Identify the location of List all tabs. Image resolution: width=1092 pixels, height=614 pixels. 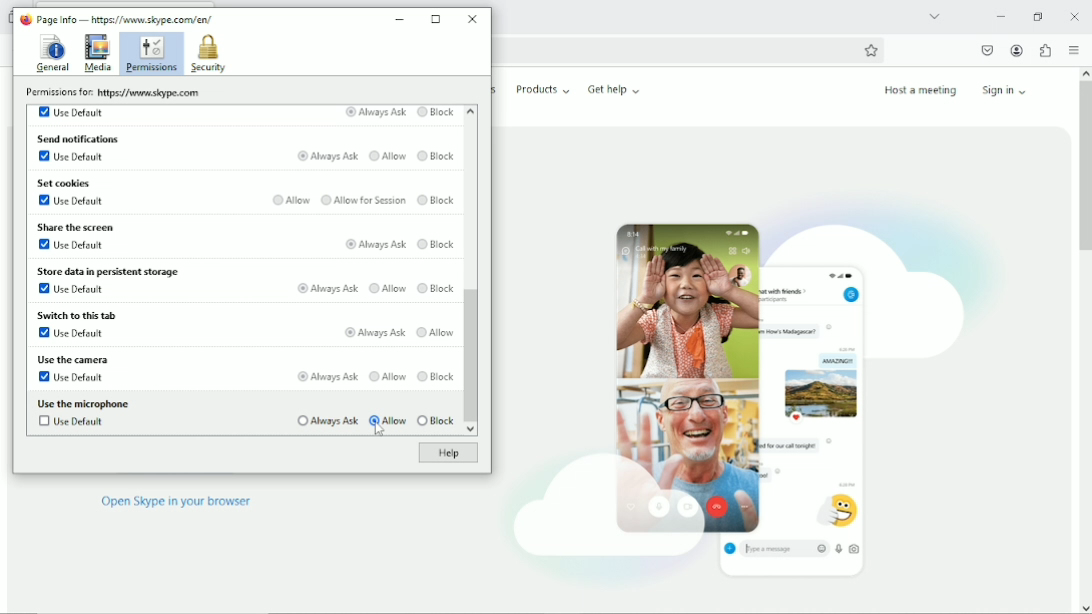
(934, 15).